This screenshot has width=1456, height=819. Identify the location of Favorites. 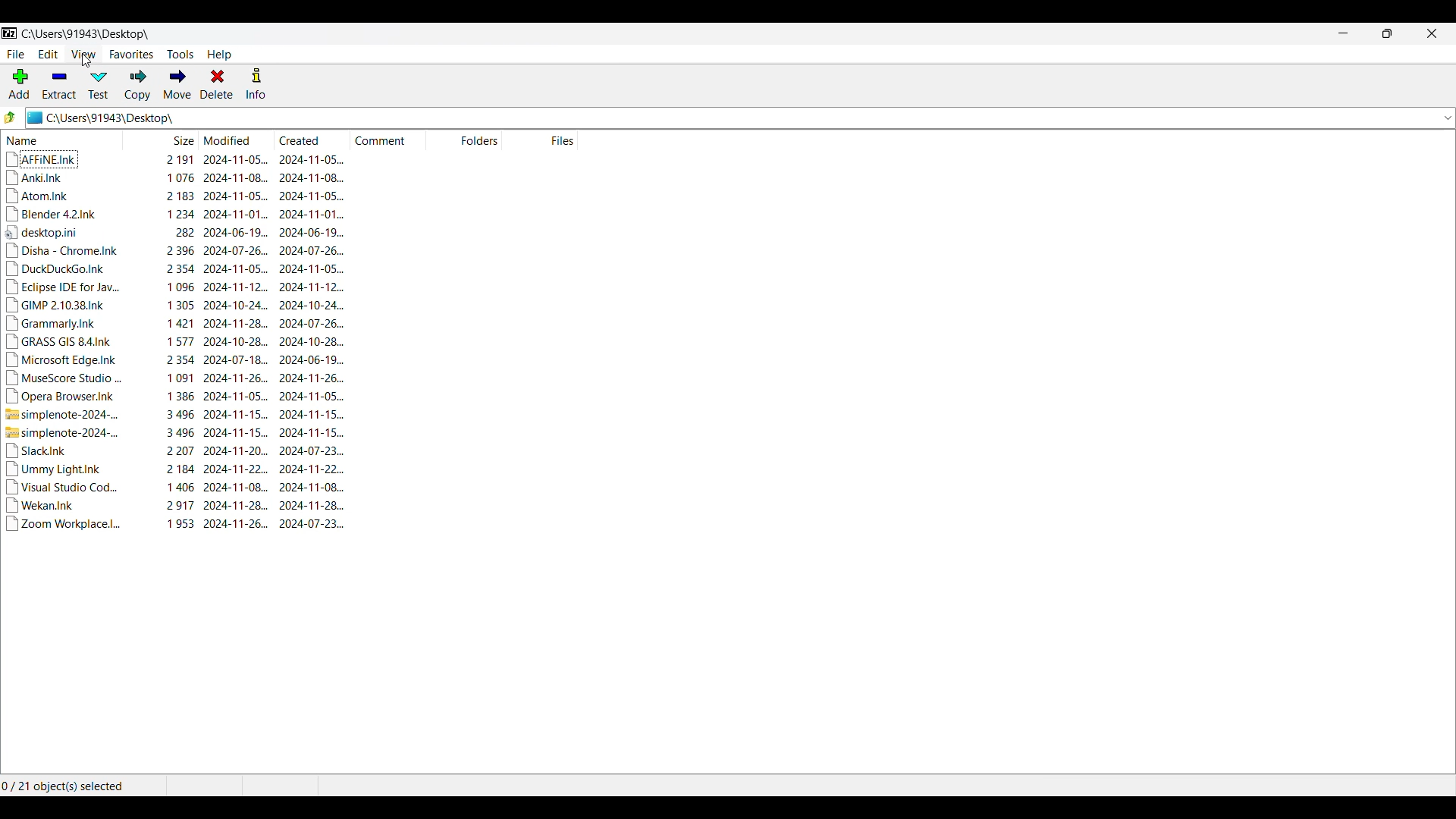
(131, 55).